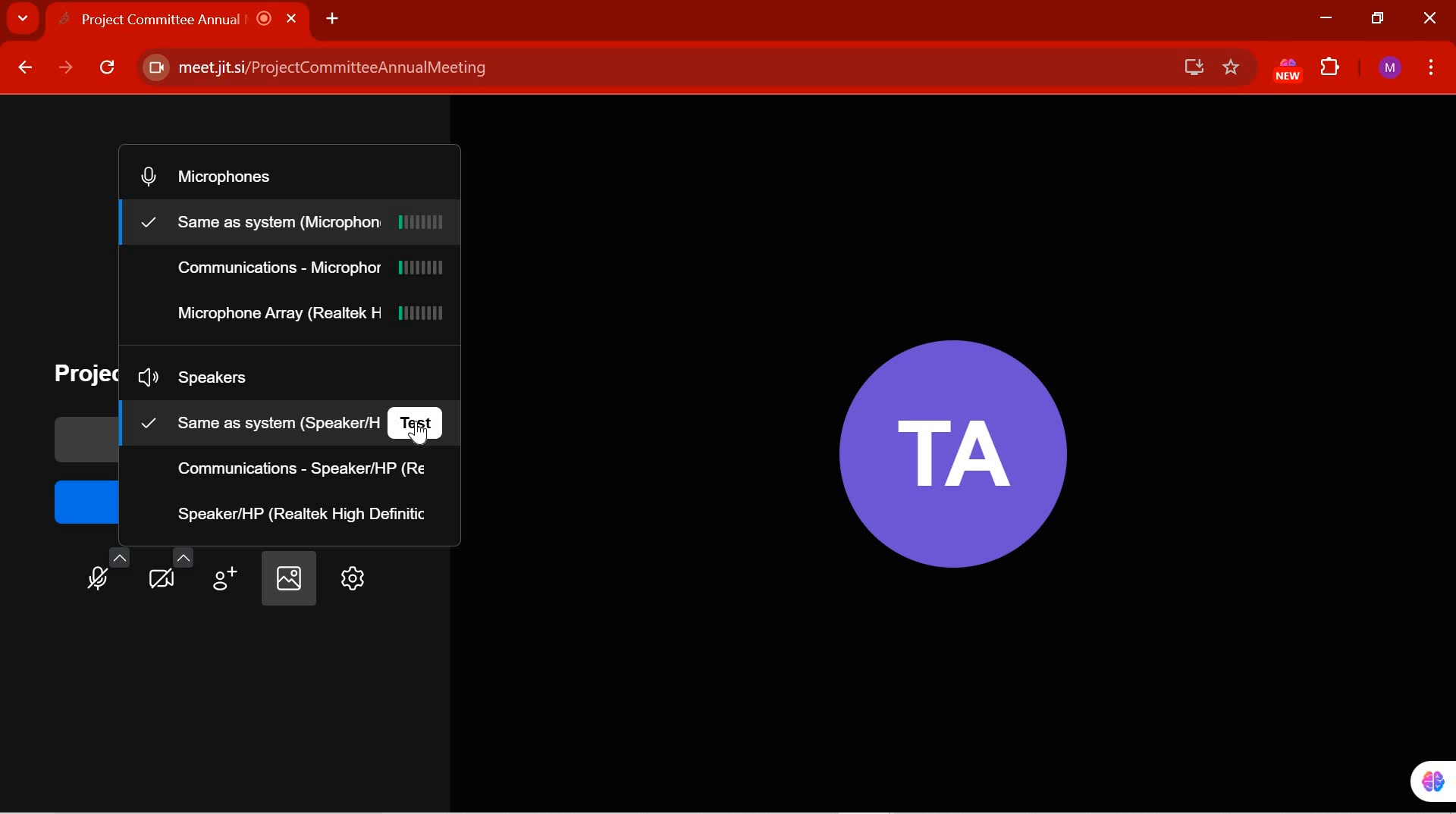  I want to click on same as system microphone, so click(294, 223).